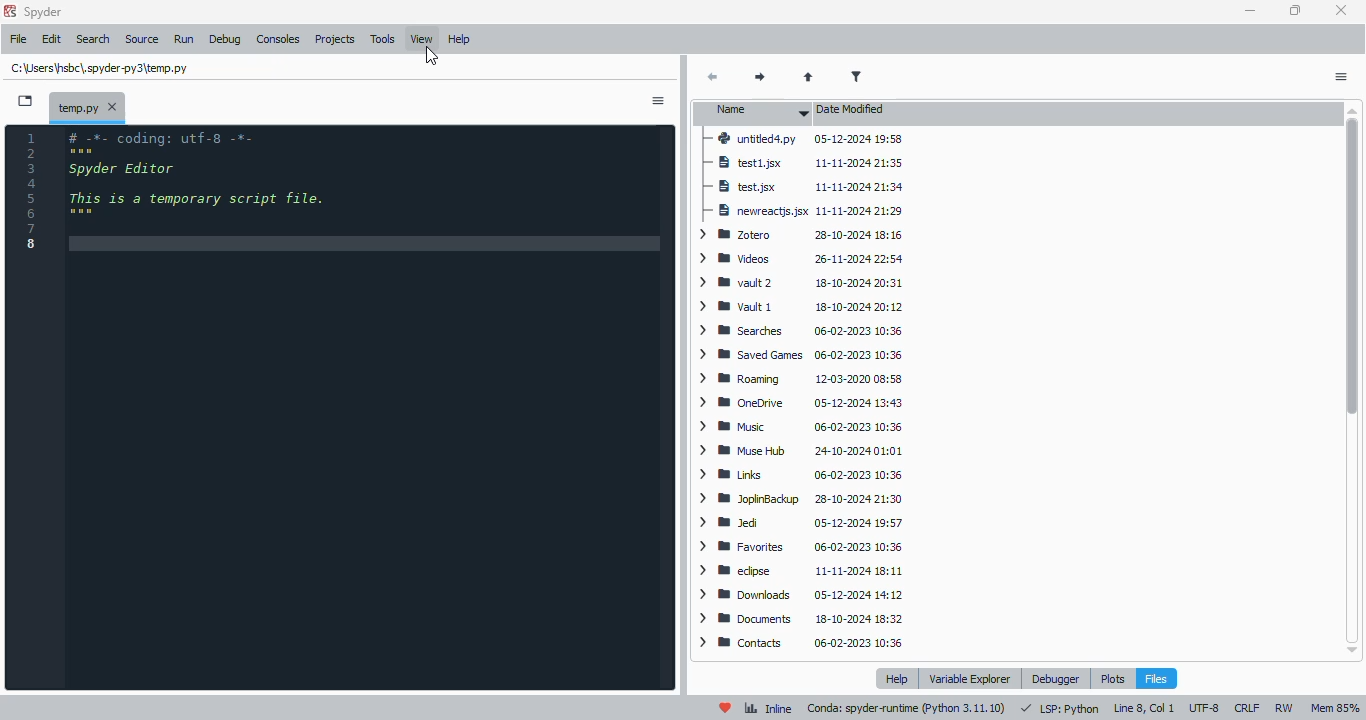 This screenshot has width=1366, height=720. What do you see at coordinates (799, 306) in the screenshot?
I see `Vault 1` at bounding box center [799, 306].